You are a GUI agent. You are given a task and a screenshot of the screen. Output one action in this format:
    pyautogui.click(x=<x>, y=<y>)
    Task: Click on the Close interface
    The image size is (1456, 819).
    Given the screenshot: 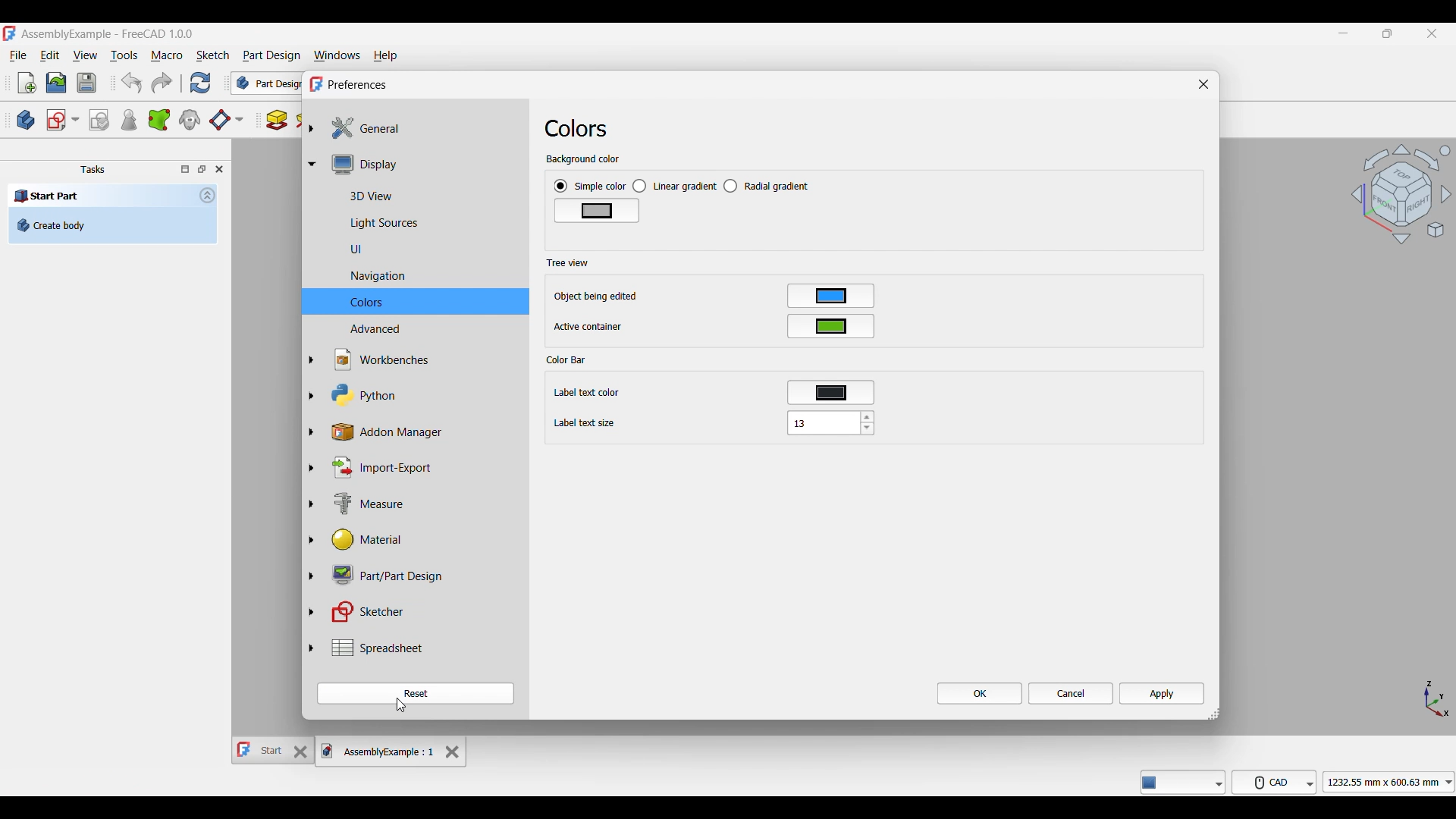 What is the action you would take?
    pyautogui.click(x=1432, y=33)
    